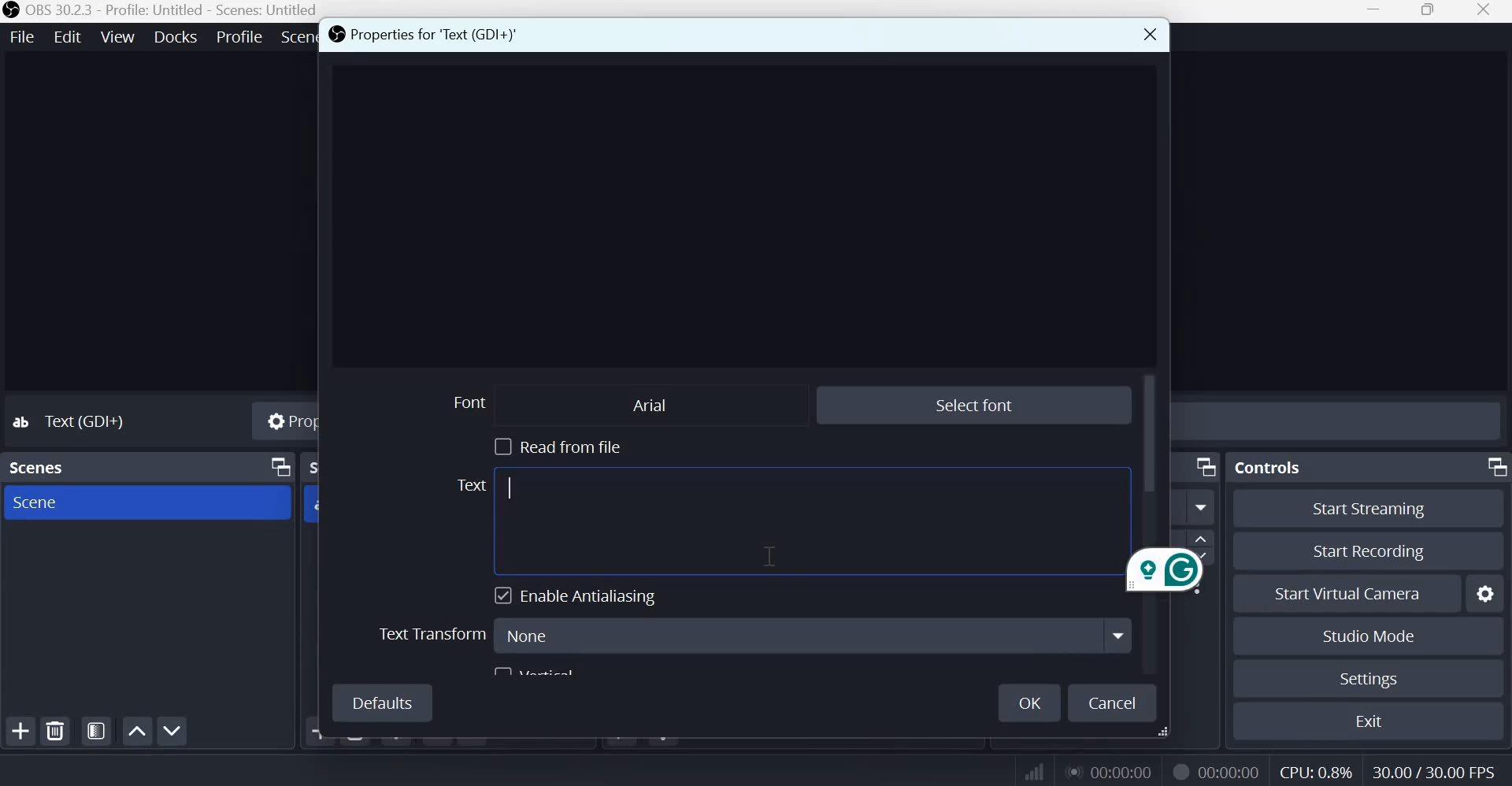  I want to click on 30.00/30.00 FPS, so click(1432, 771).